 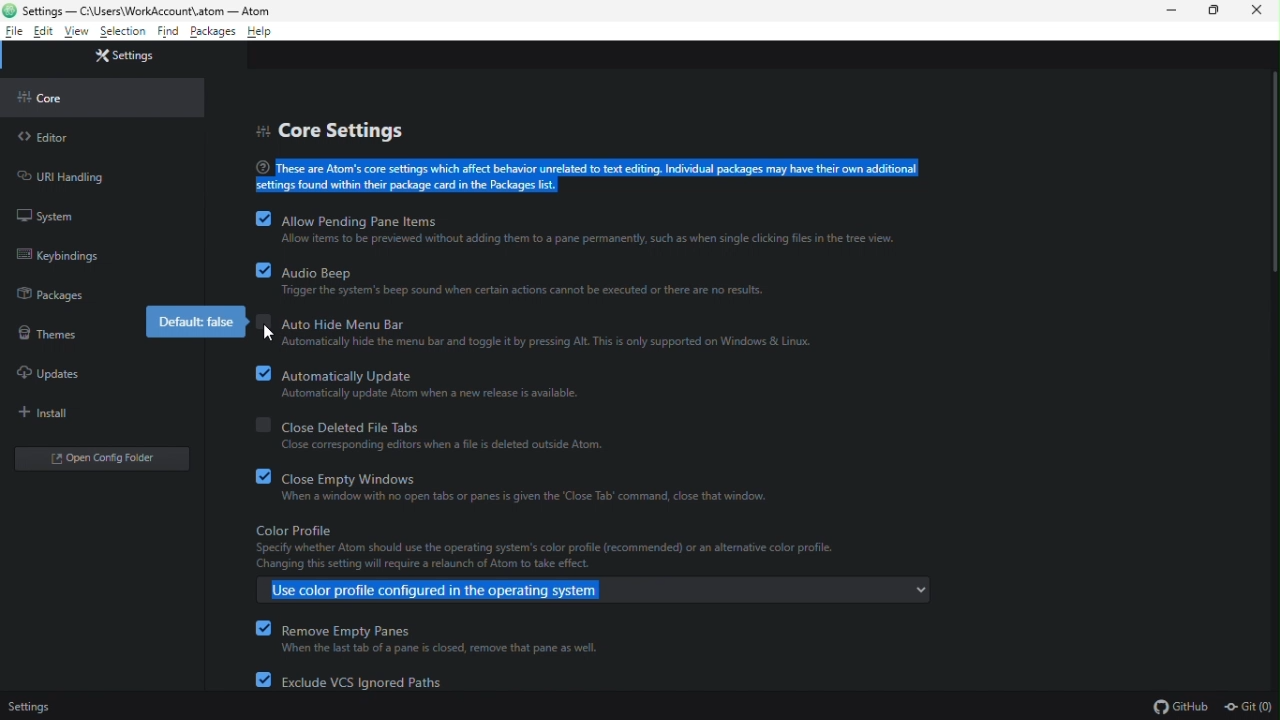 What do you see at coordinates (80, 177) in the screenshot?
I see `URL handling` at bounding box center [80, 177].